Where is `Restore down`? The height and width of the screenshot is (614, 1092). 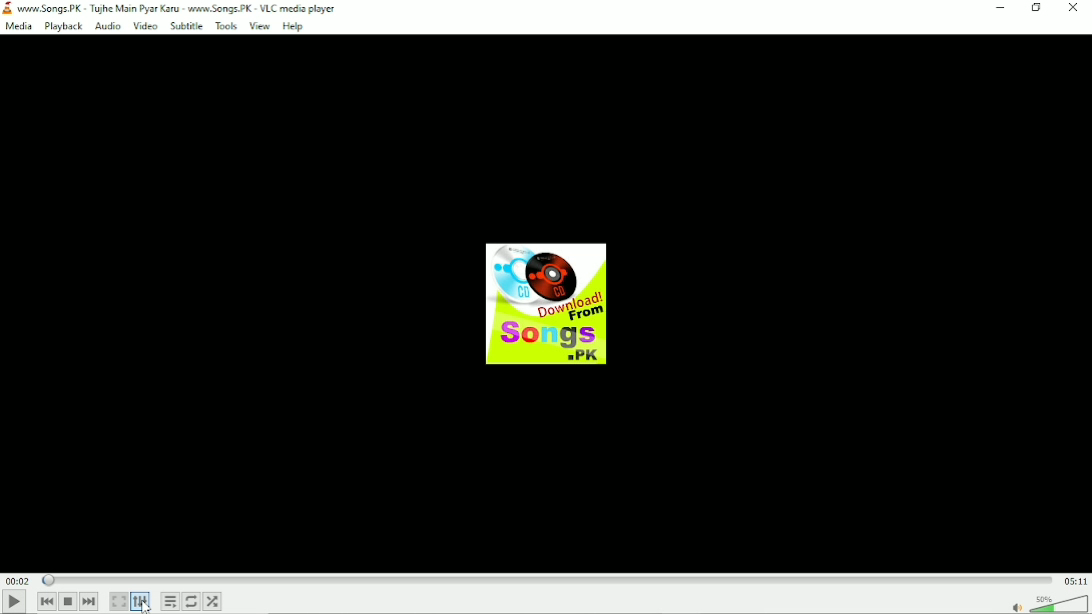
Restore down is located at coordinates (1037, 9).